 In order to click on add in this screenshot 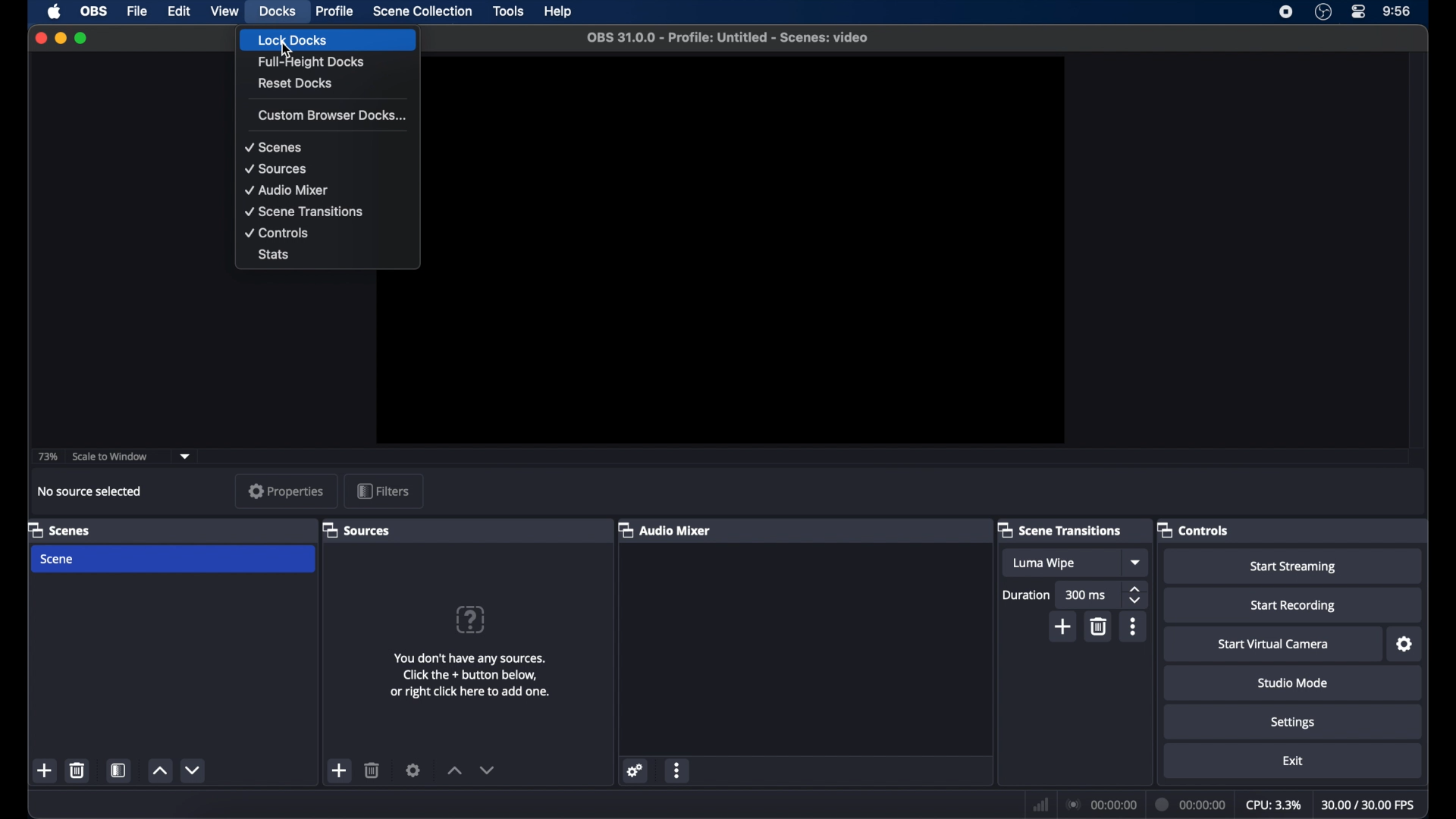, I will do `click(1063, 626)`.